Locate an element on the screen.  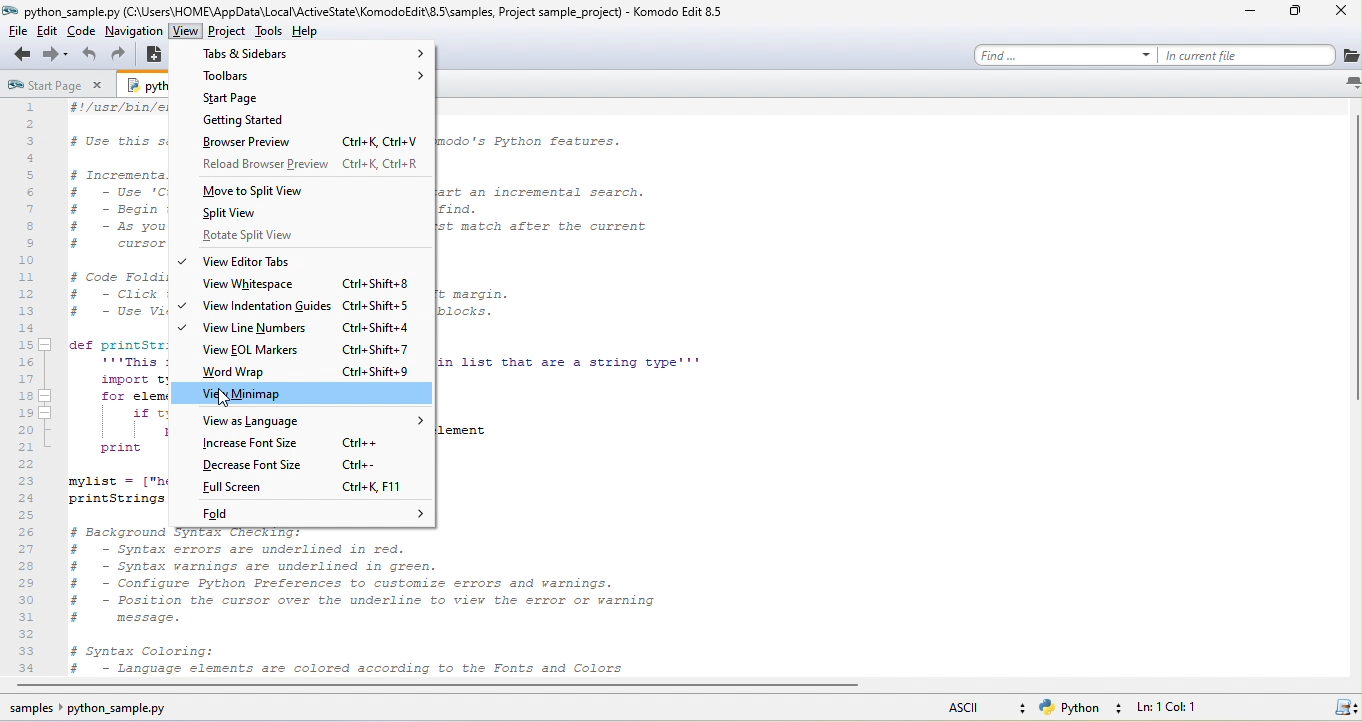
view is located at coordinates (189, 34).